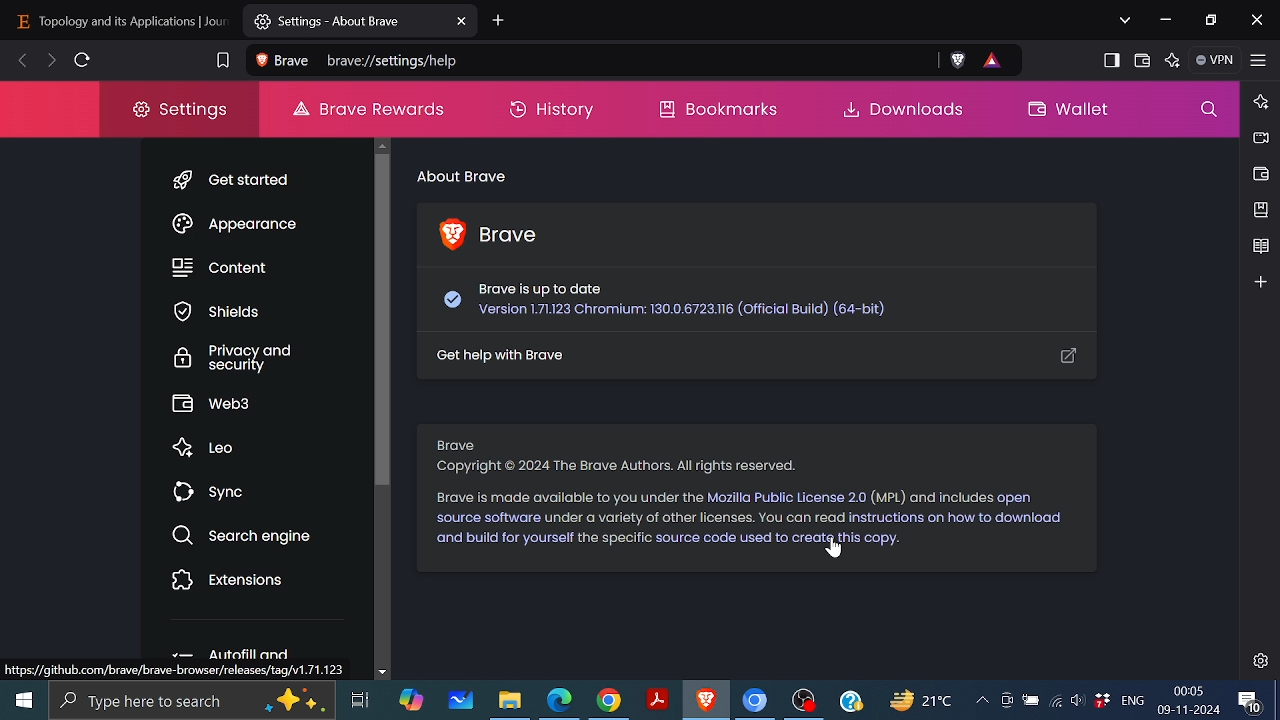 The height and width of the screenshot is (720, 1280). I want to click on Microsoft edge, so click(557, 701).